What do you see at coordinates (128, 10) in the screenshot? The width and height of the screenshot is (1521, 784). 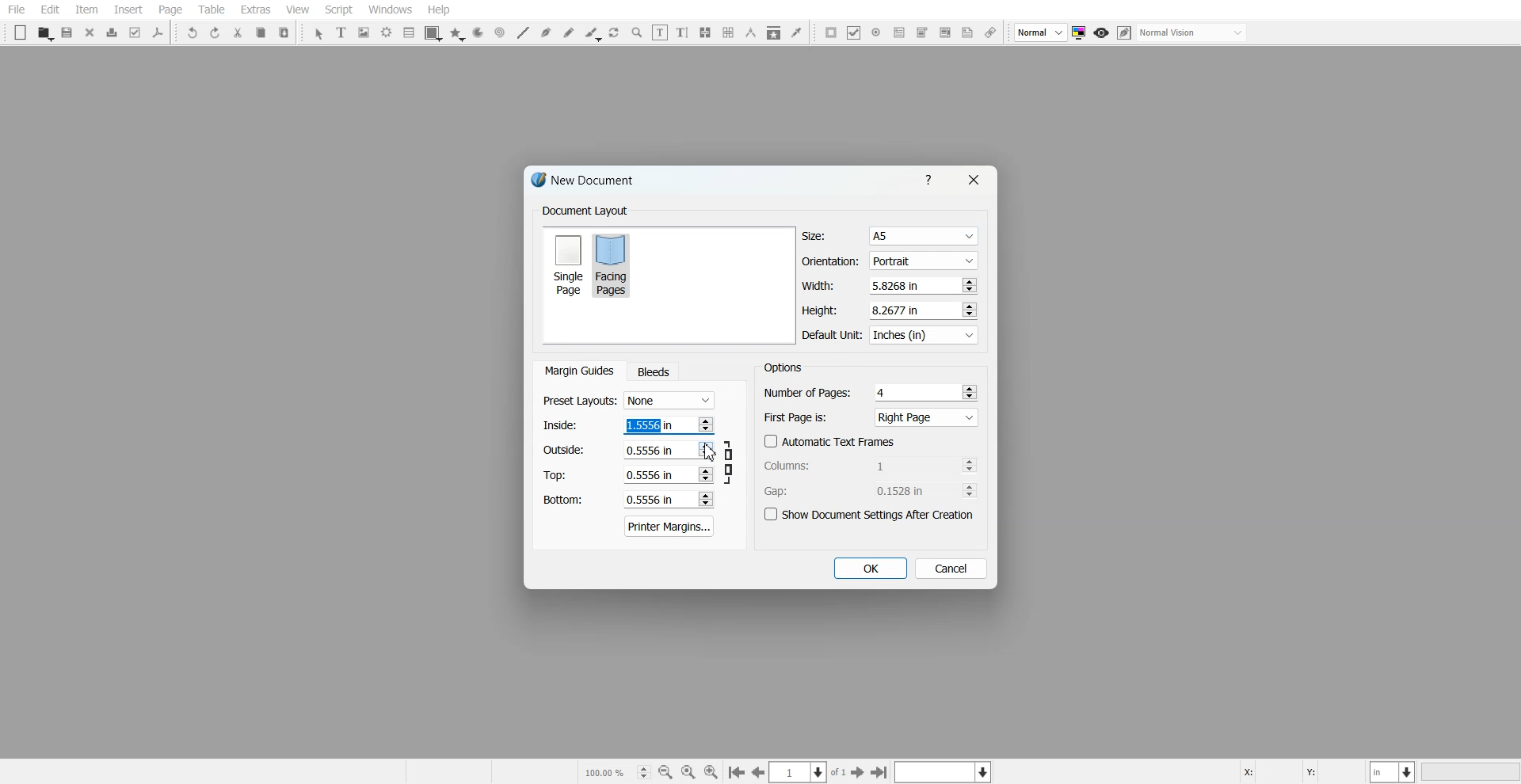 I see `Insert` at bounding box center [128, 10].